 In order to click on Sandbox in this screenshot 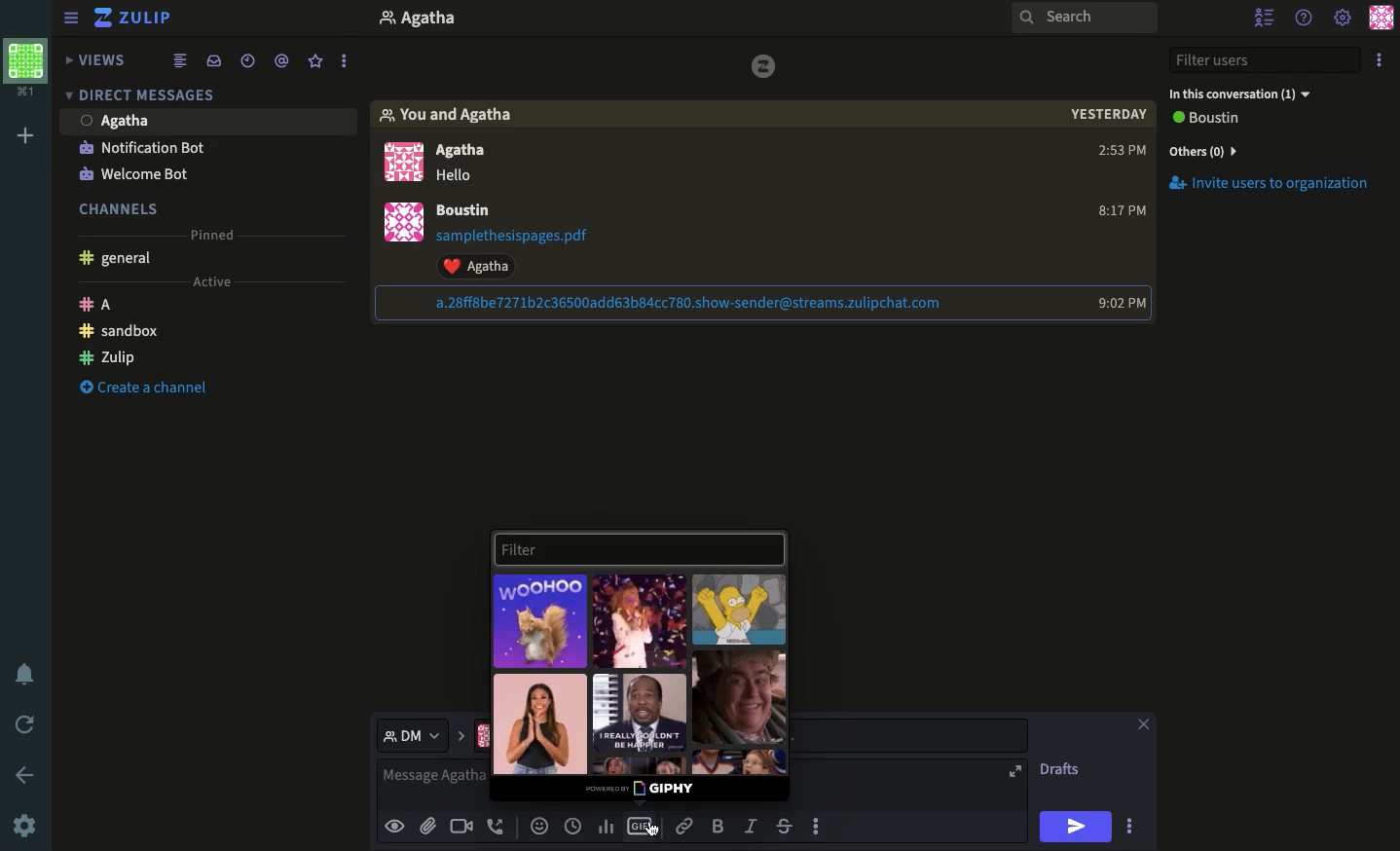, I will do `click(116, 334)`.